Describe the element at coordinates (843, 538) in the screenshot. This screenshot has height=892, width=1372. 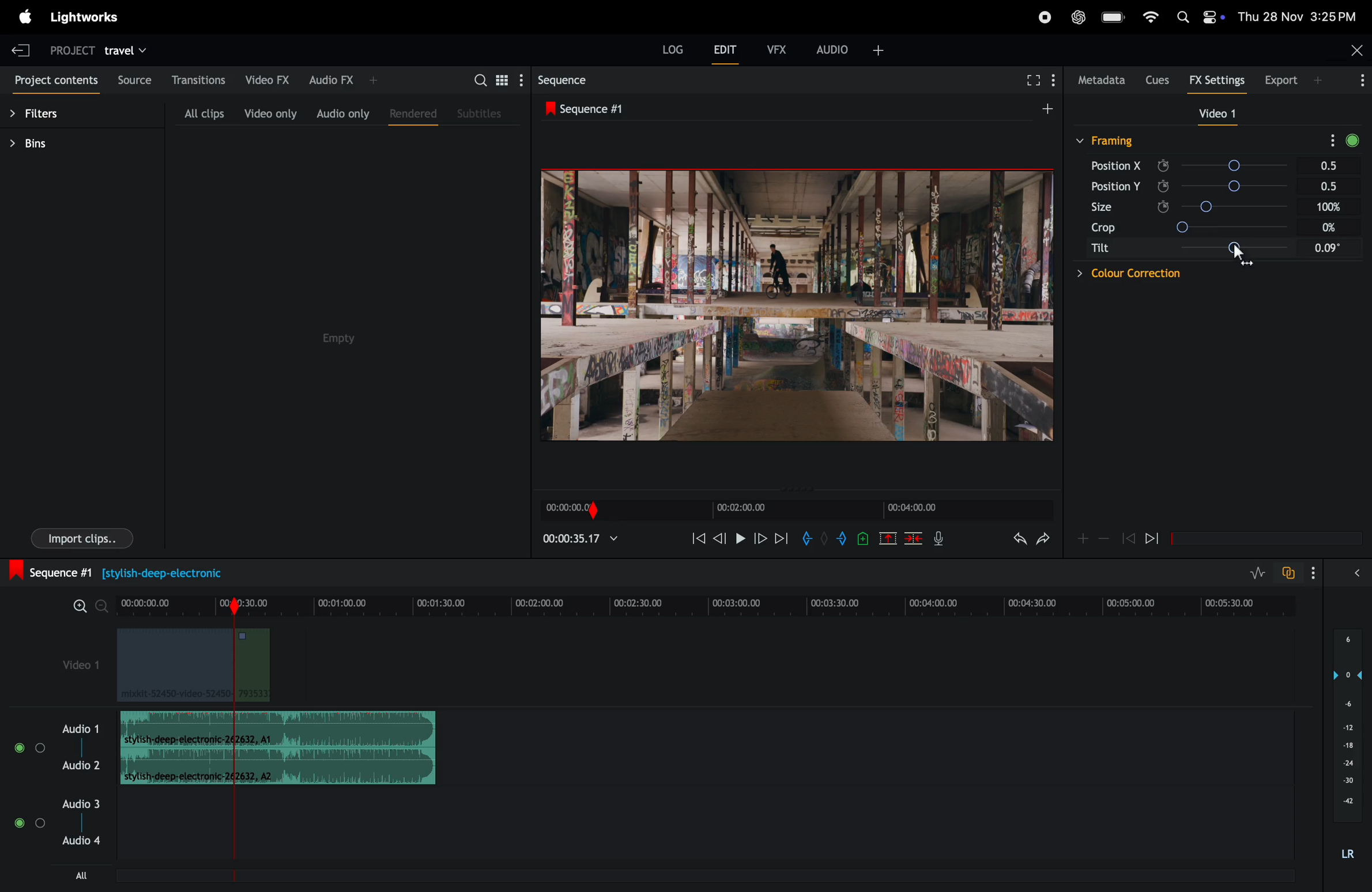
I see `add out mark` at that location.